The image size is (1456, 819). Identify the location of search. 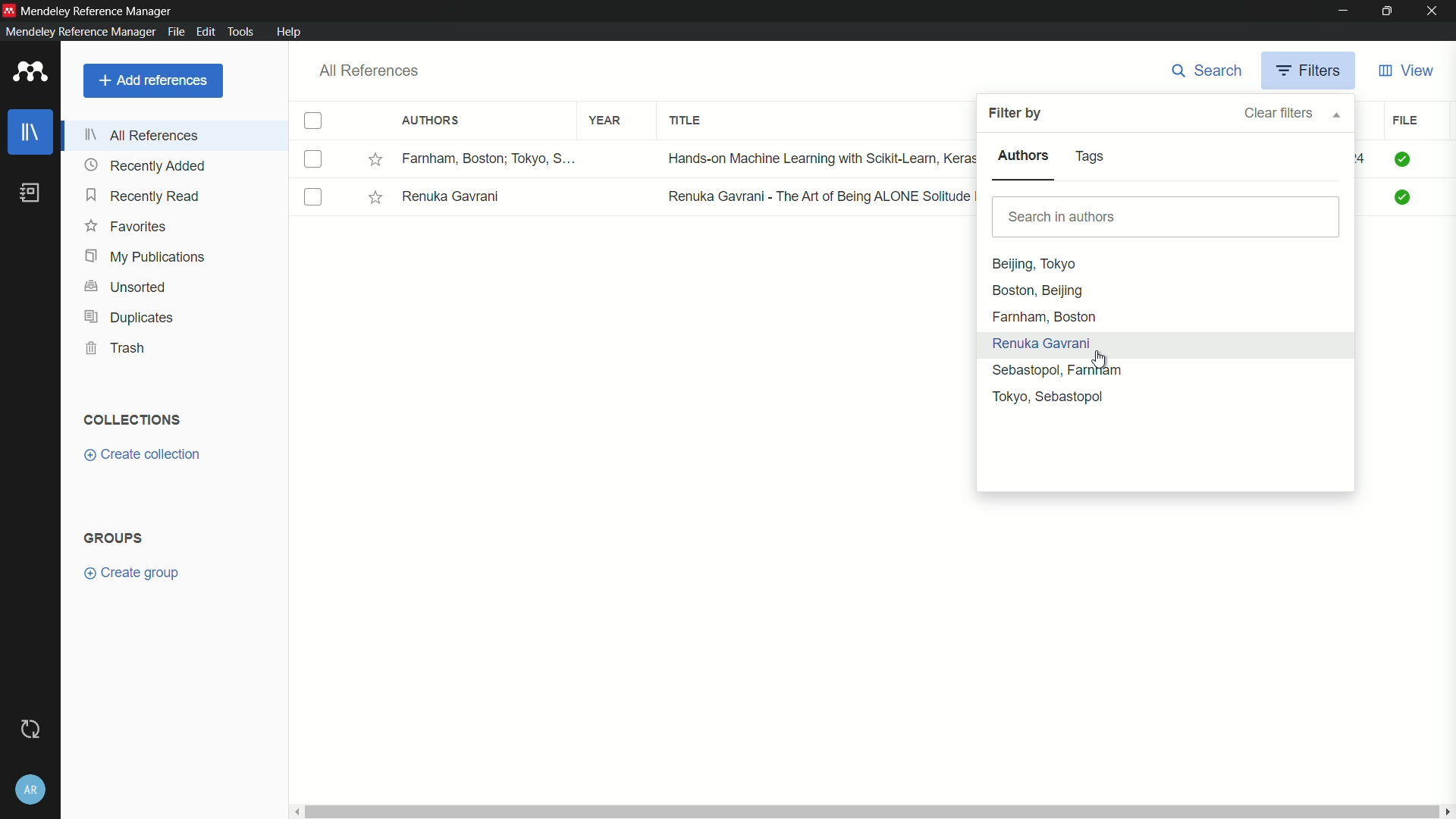
(1207, 71).